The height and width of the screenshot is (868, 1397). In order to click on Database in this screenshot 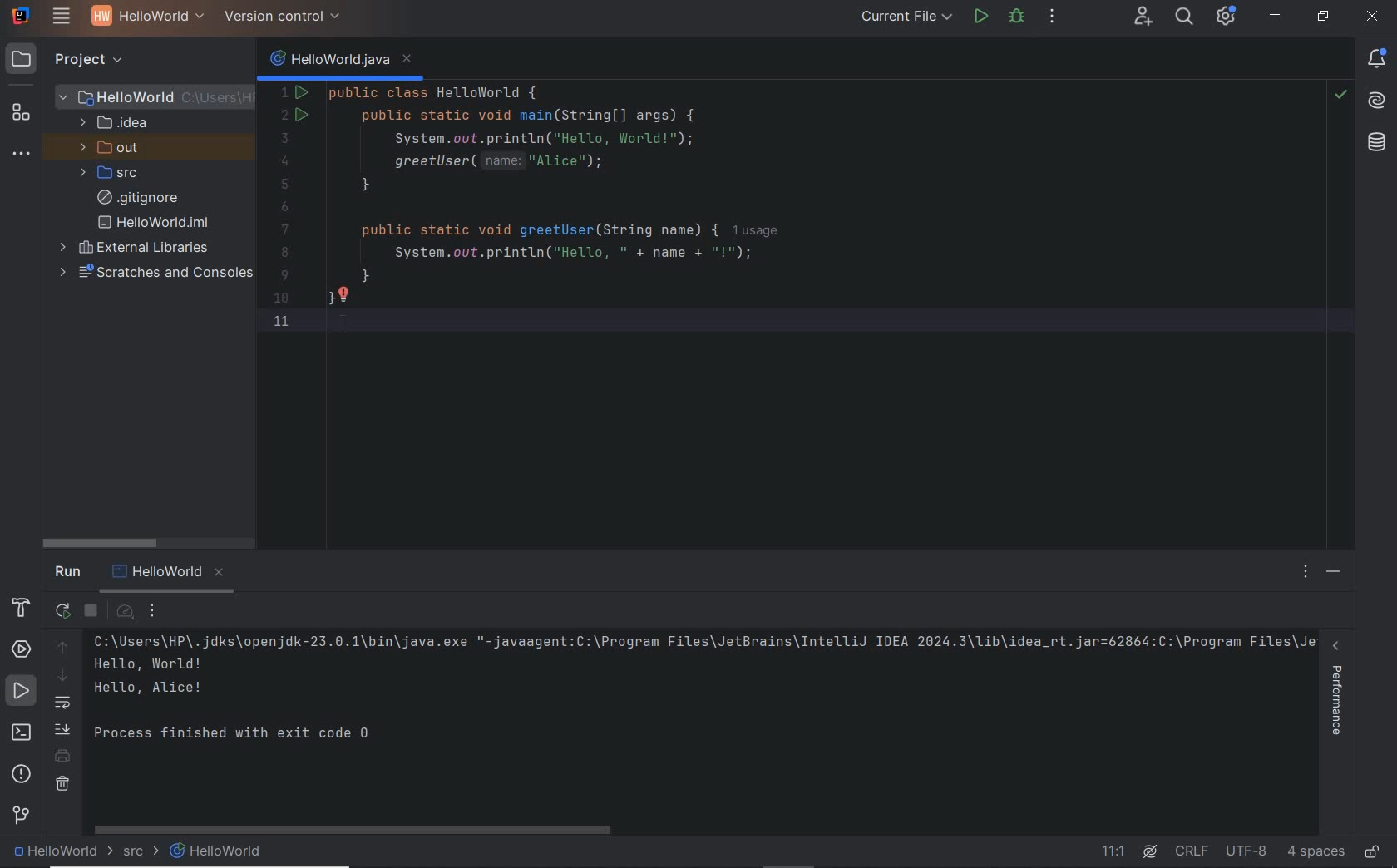, I will do `click(1375, 141)`.